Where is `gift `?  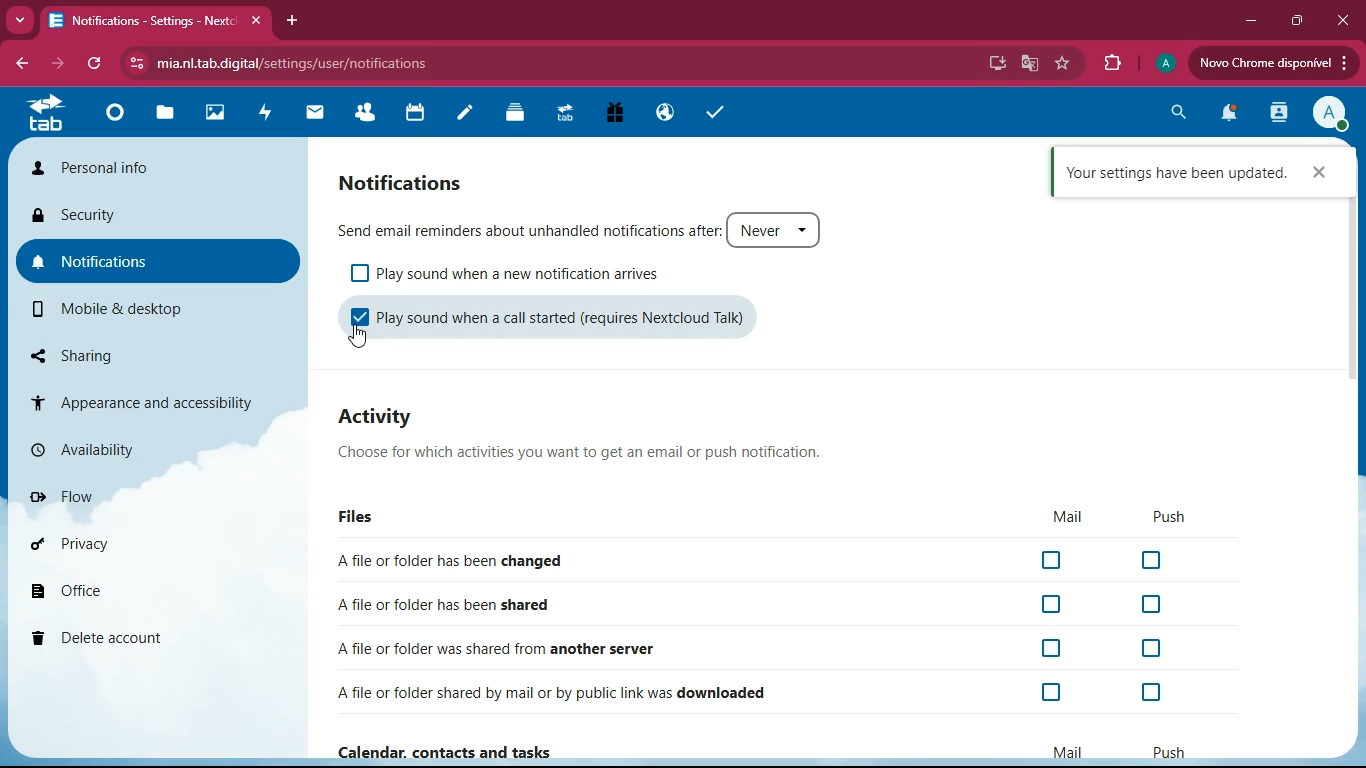
gift  is located at coordinates (622, 114).